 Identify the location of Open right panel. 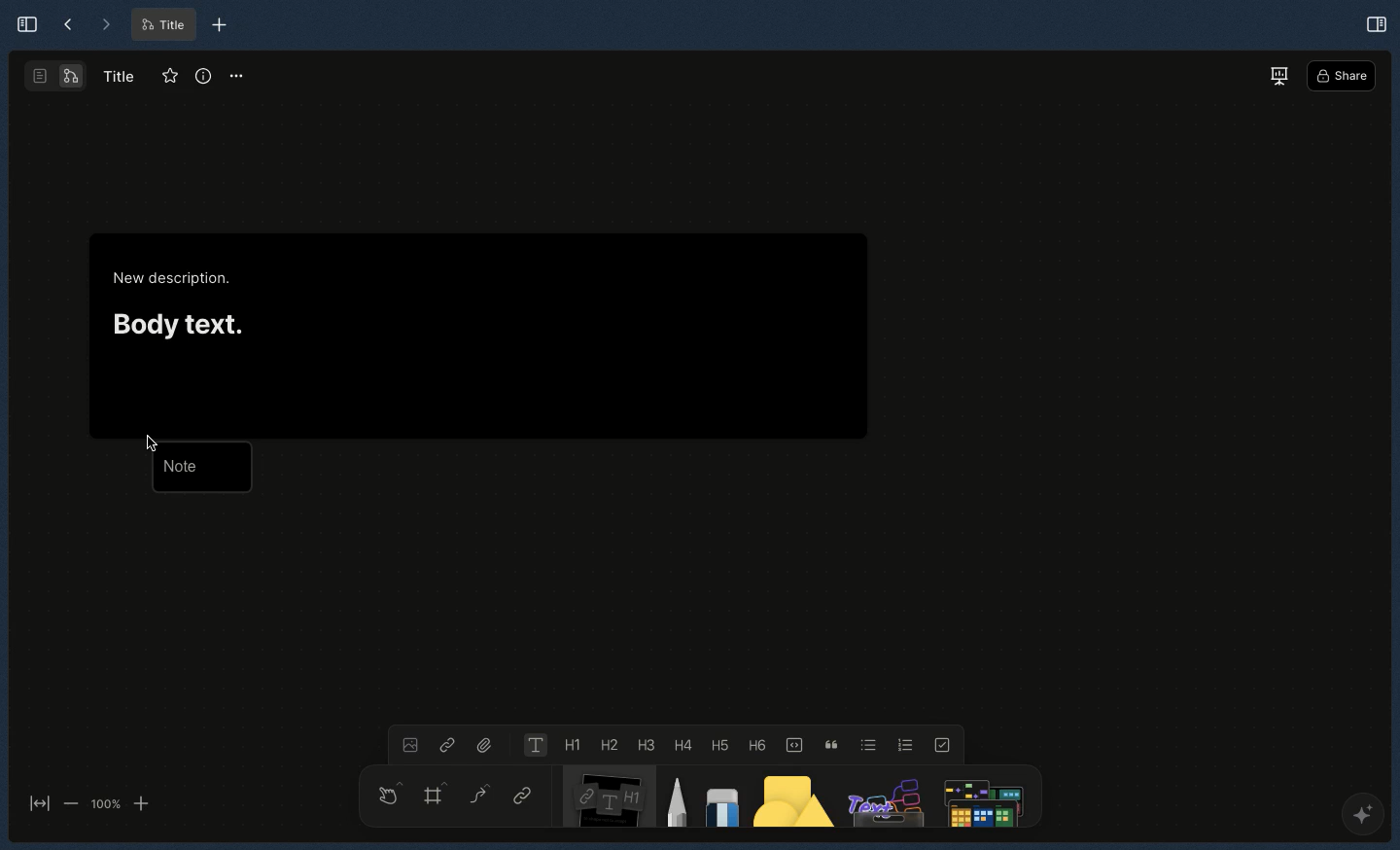
(1376, 22).